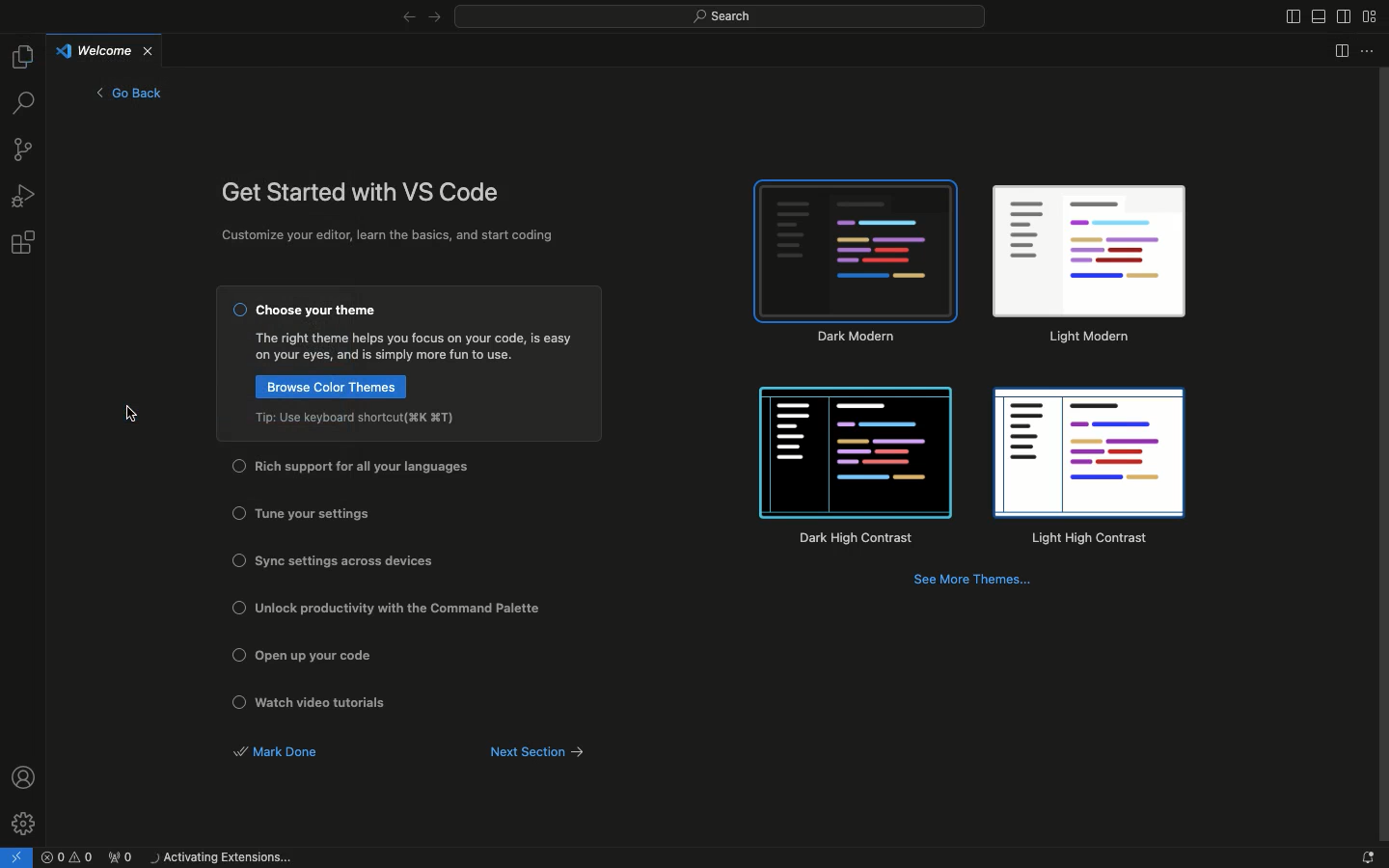 This screenshot has height=868, width=1389. Describe the element at coordinates (406, 18) in the screenshot. I see `back` at that location.